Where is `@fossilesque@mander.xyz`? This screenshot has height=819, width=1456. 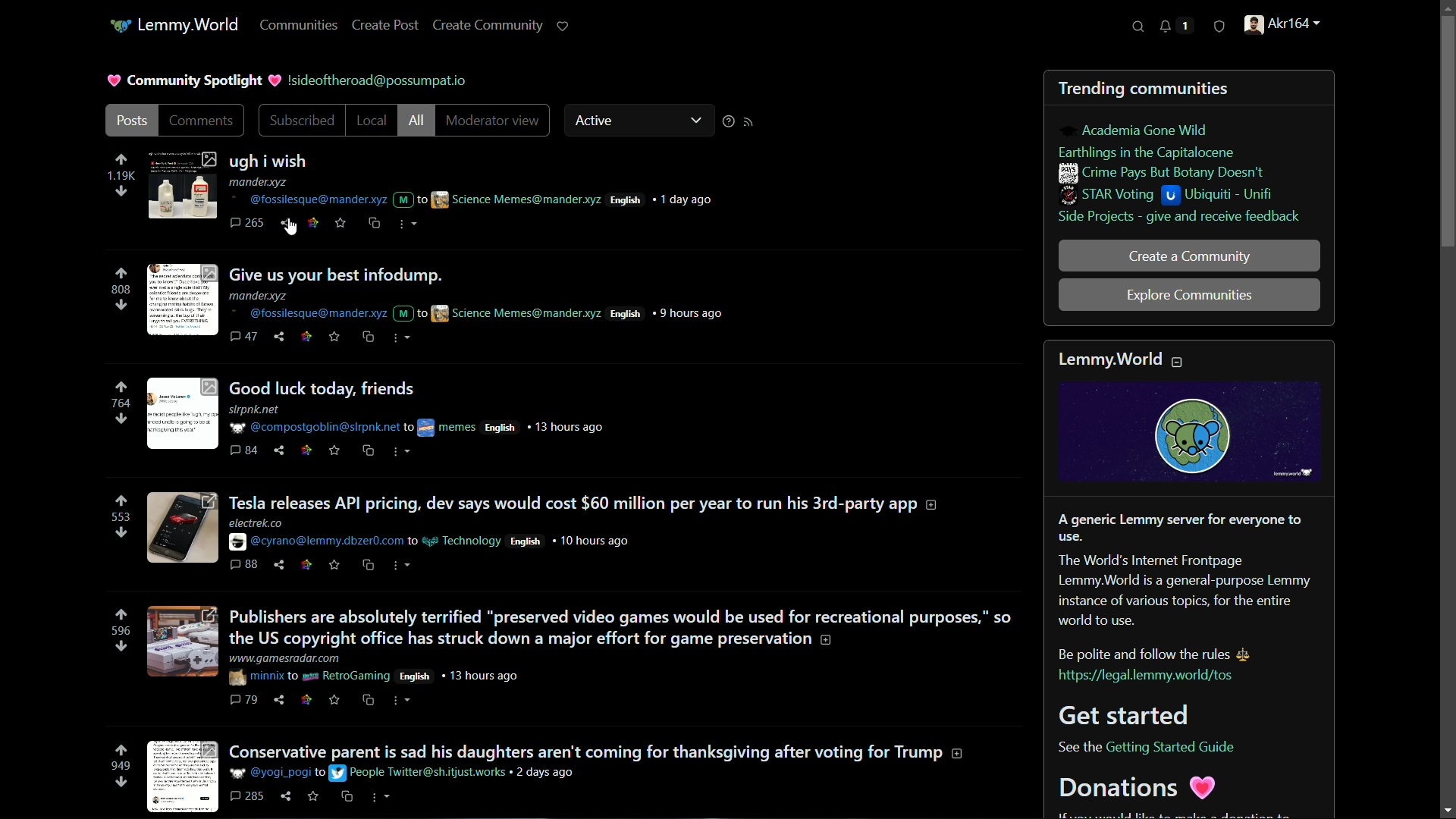
@fossilesque@mander.xyz is located at coordinates (306, 314).